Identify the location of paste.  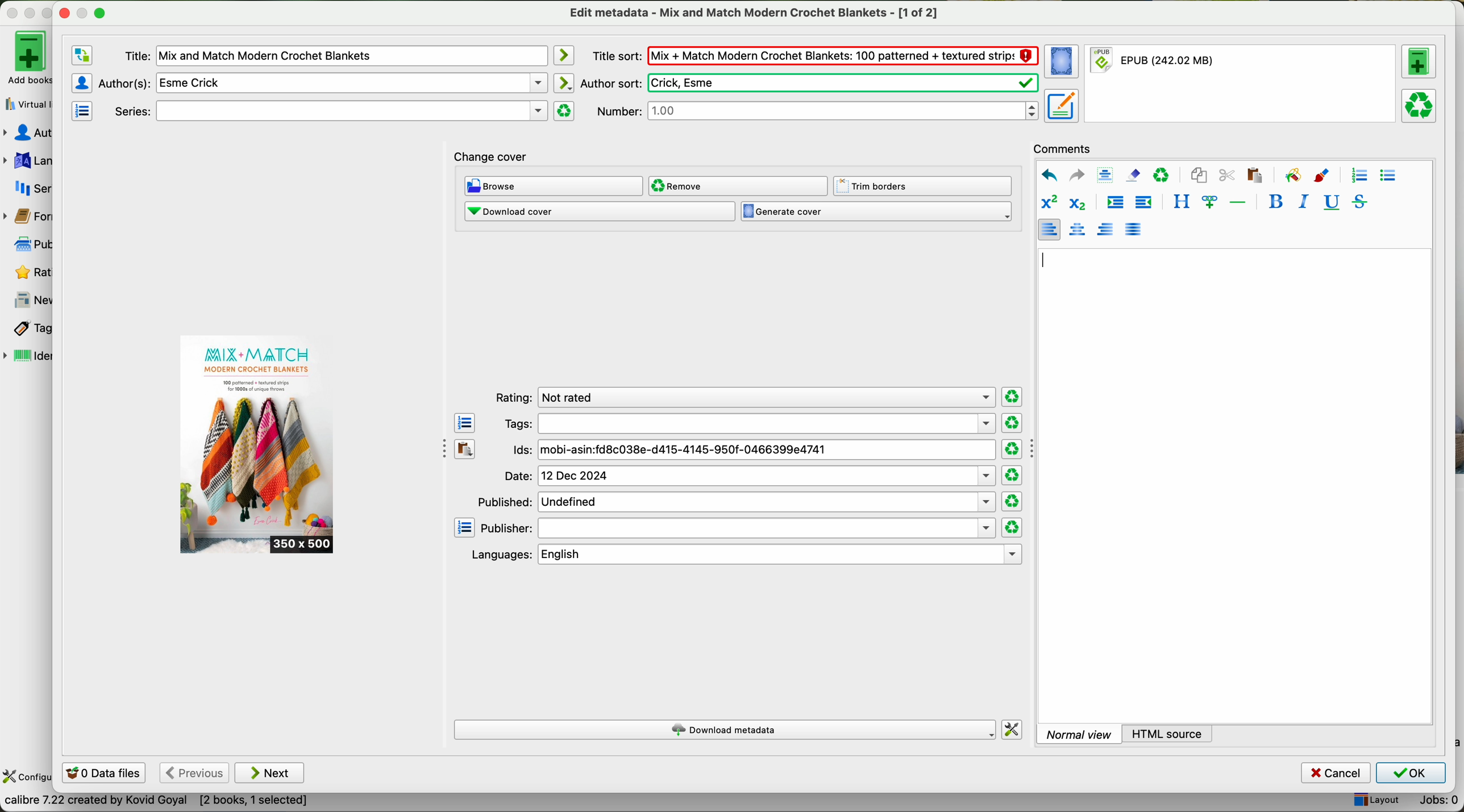
(1253, 174).